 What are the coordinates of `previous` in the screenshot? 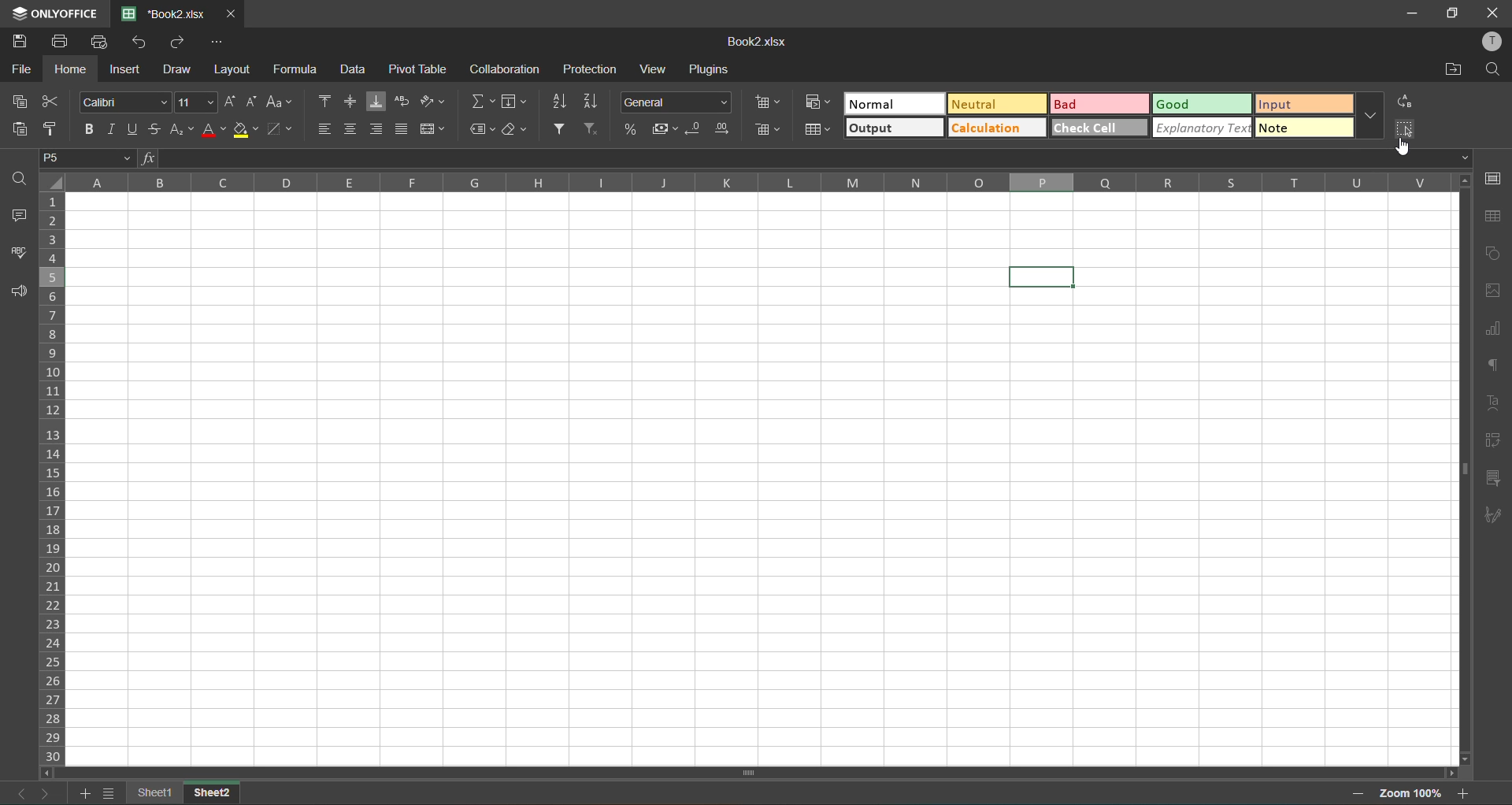 It's located at (16, 792).